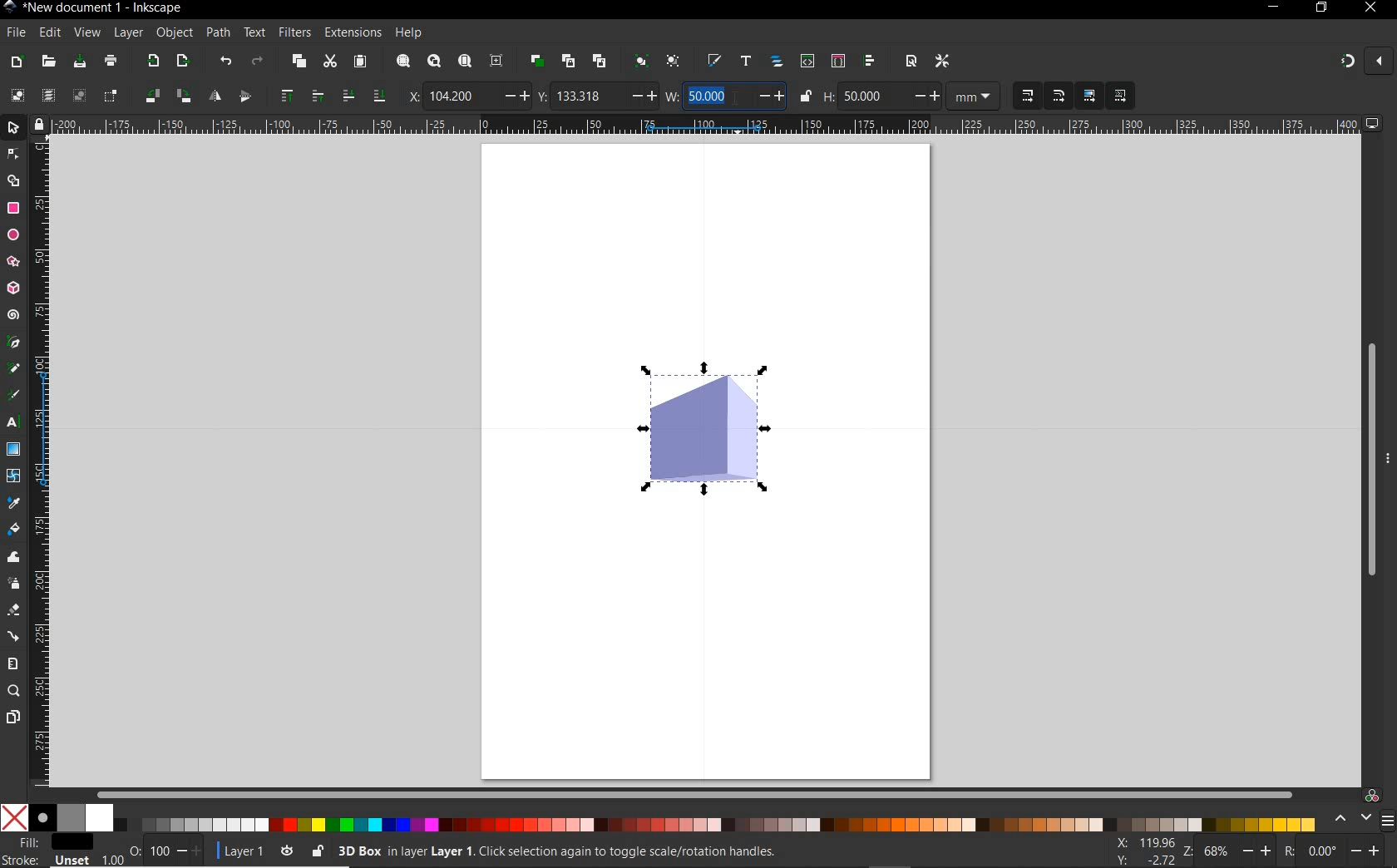 This screenshot has width=1397, height=868. What do you see at coordinates (16, 181) in the screenshot?
I see `shape builder tool` at bounding box center [16, 181].